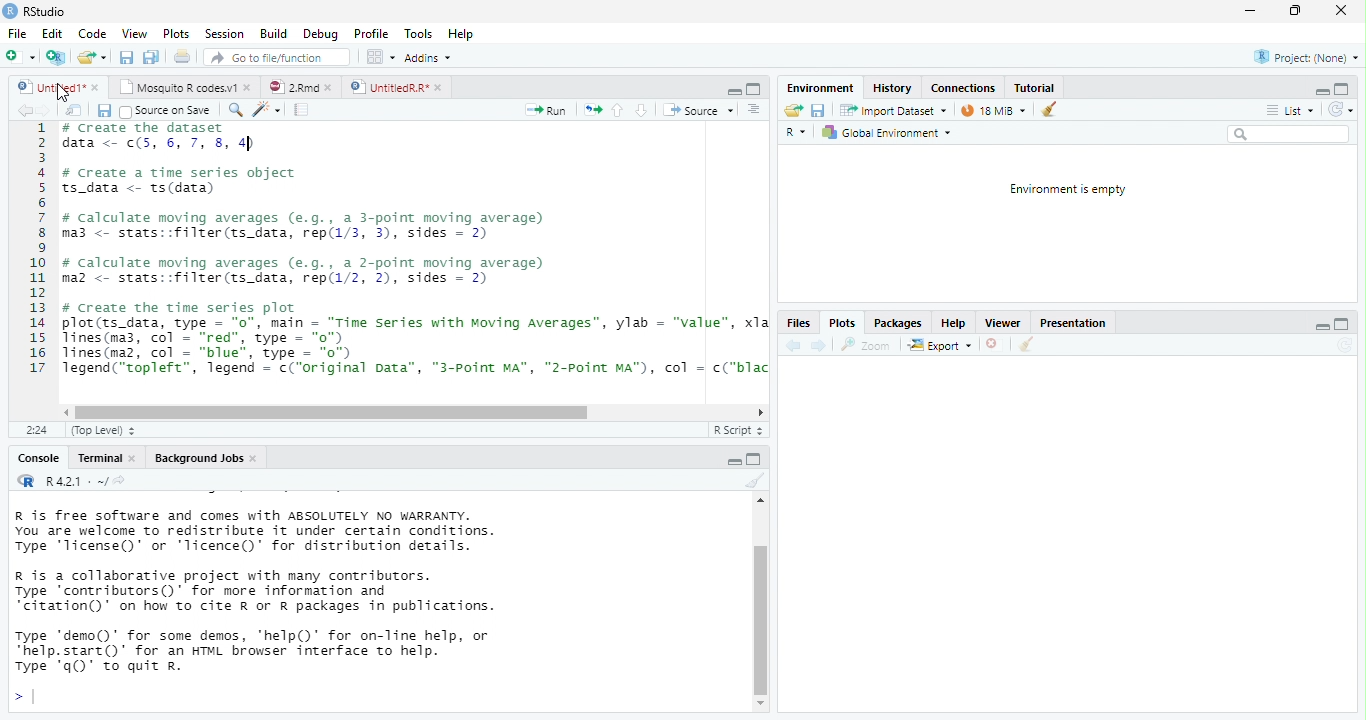 This screenshot has width=1366, height=720. Describe the element at coordinates (1342, 88) in the screenshot. I see `maximize` at that location.